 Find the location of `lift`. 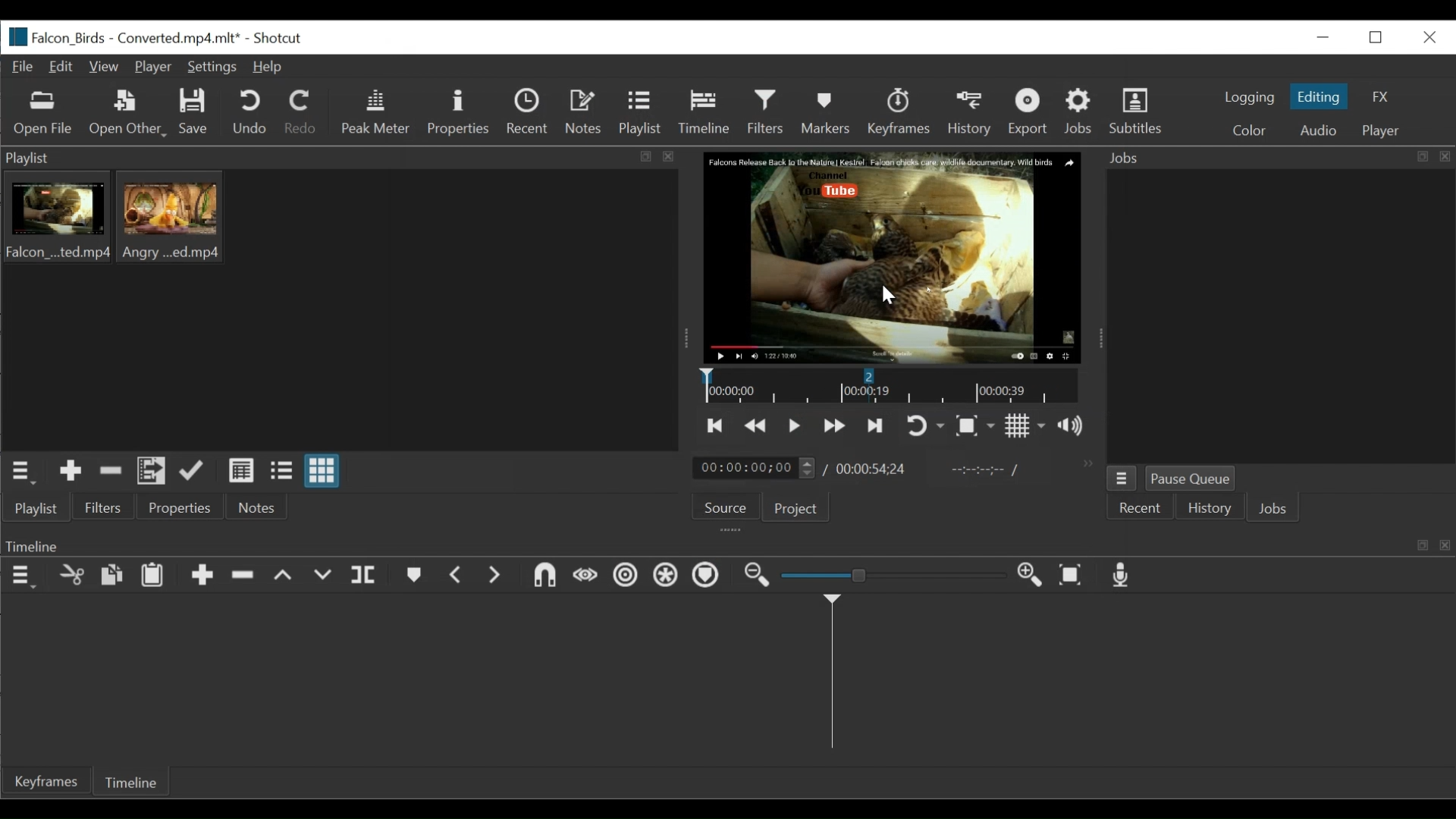

lift is located at coordinates (284, 576).